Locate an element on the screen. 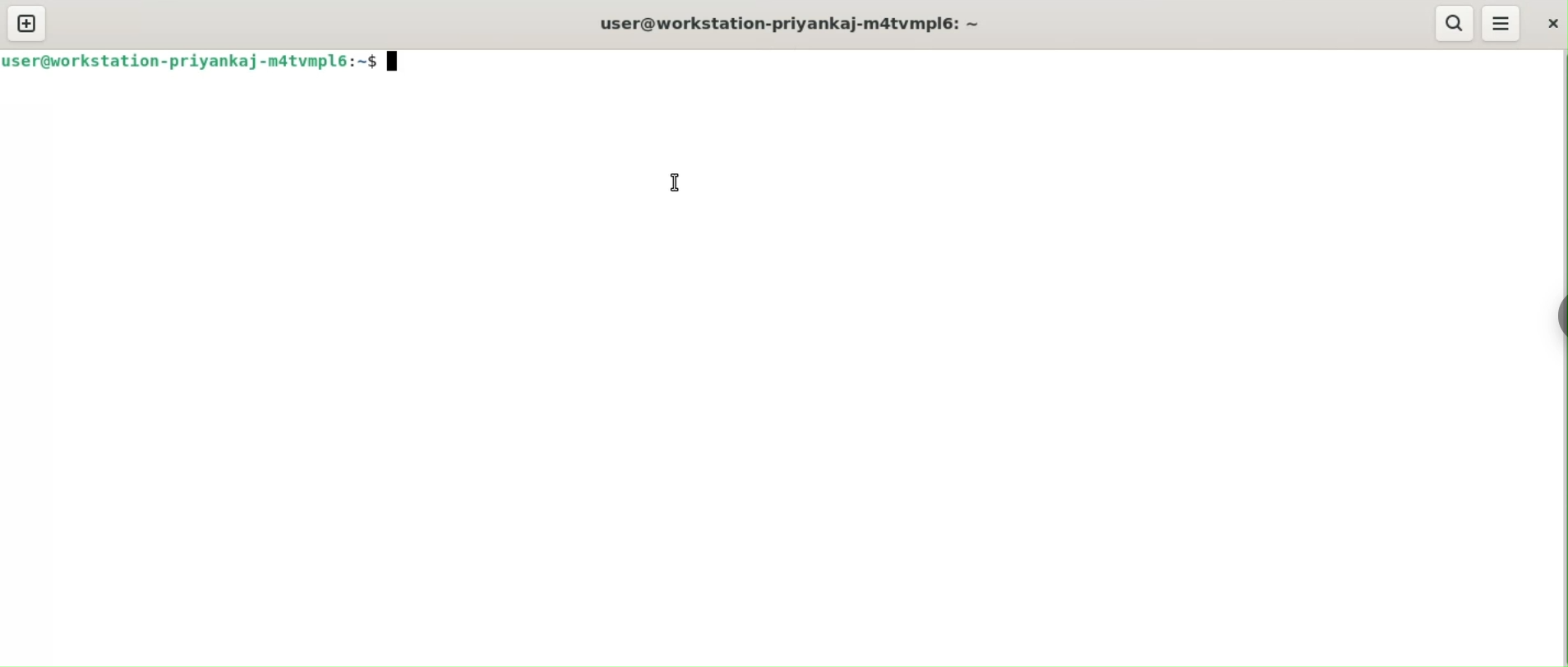 The width and height of the screenshot is (1568, 667). search is located at coordinates (1451, 23).